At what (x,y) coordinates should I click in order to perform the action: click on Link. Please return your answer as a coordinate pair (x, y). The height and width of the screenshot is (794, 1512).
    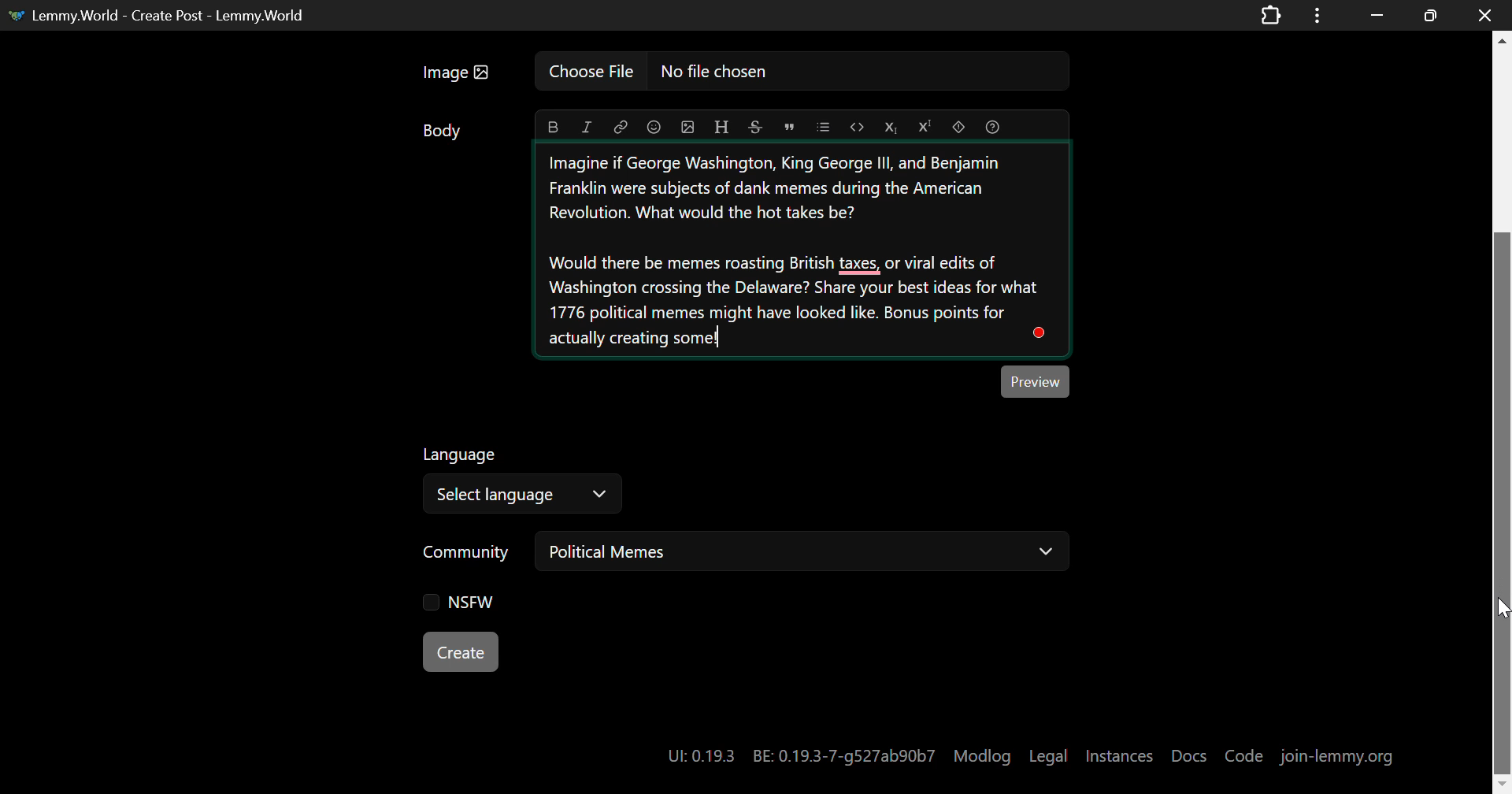
    Looking at the image, I should click on (621, 128).